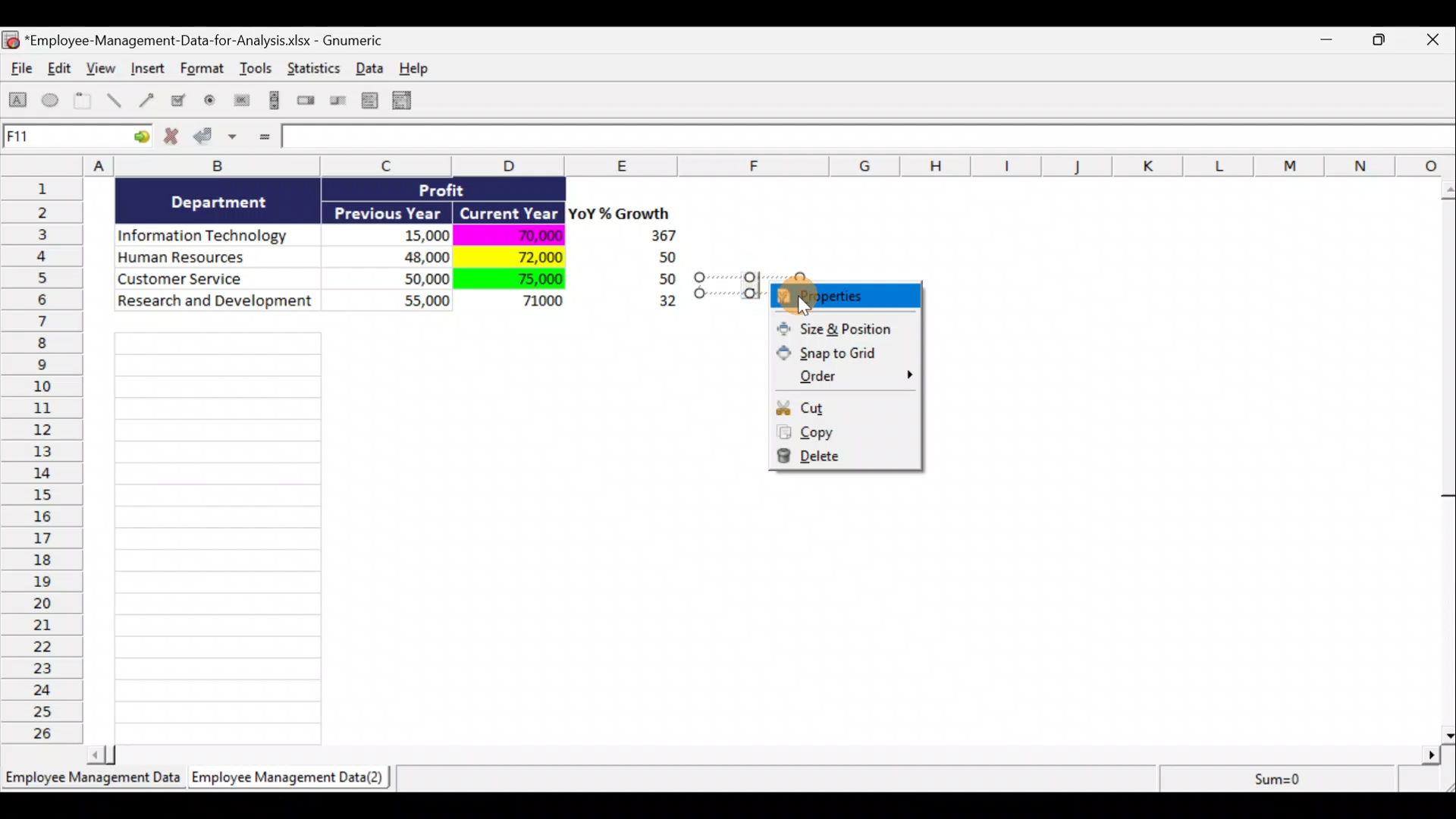 The image size is (1456, 819). What do you see at coordinates (1275, 779) in the screenshot?
I see `Sum=0` at bounding box center [1275, 779].